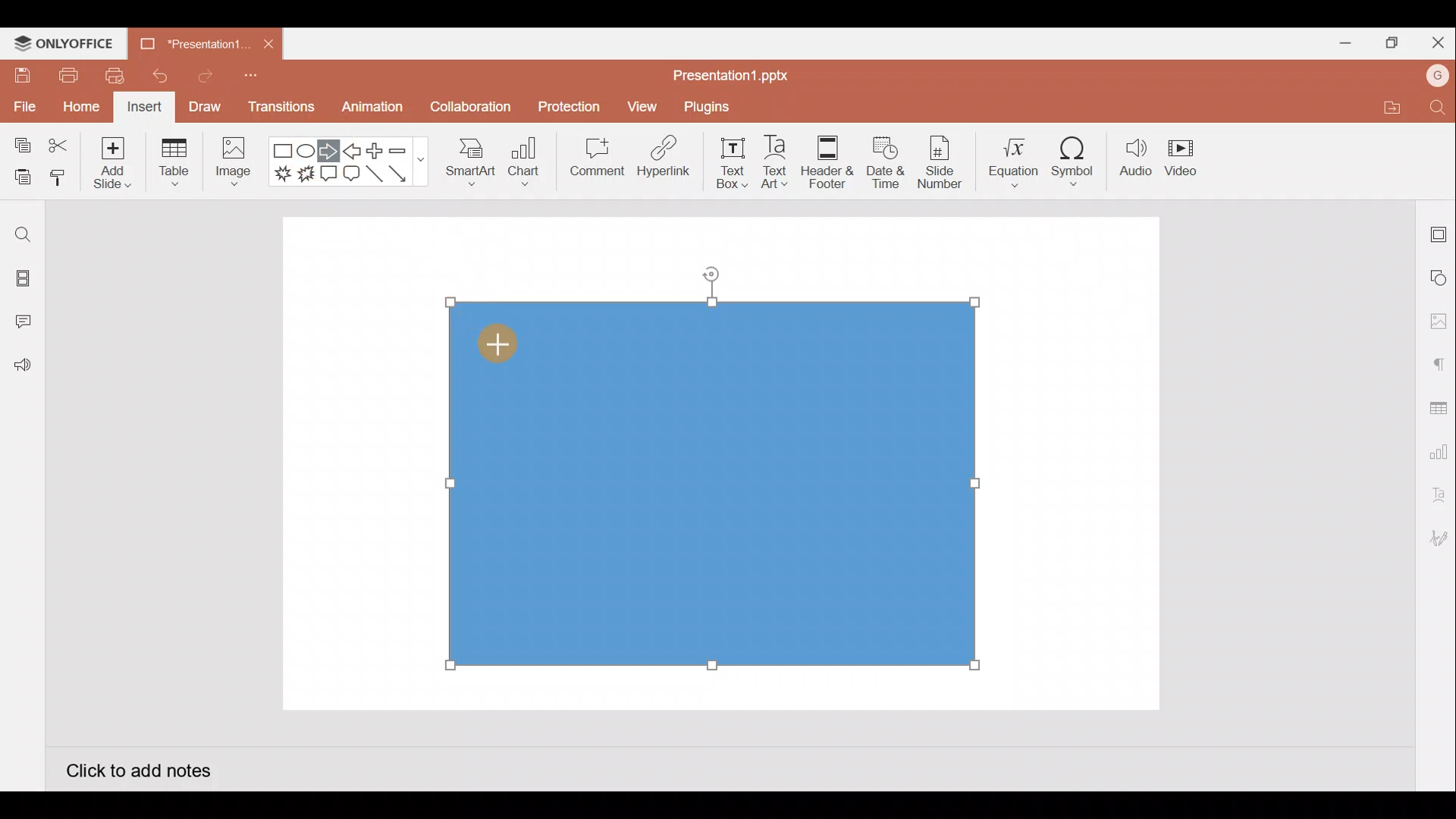  Describe the element at coordinates (231, 165) in the screenshot. I see `Image` at that location.